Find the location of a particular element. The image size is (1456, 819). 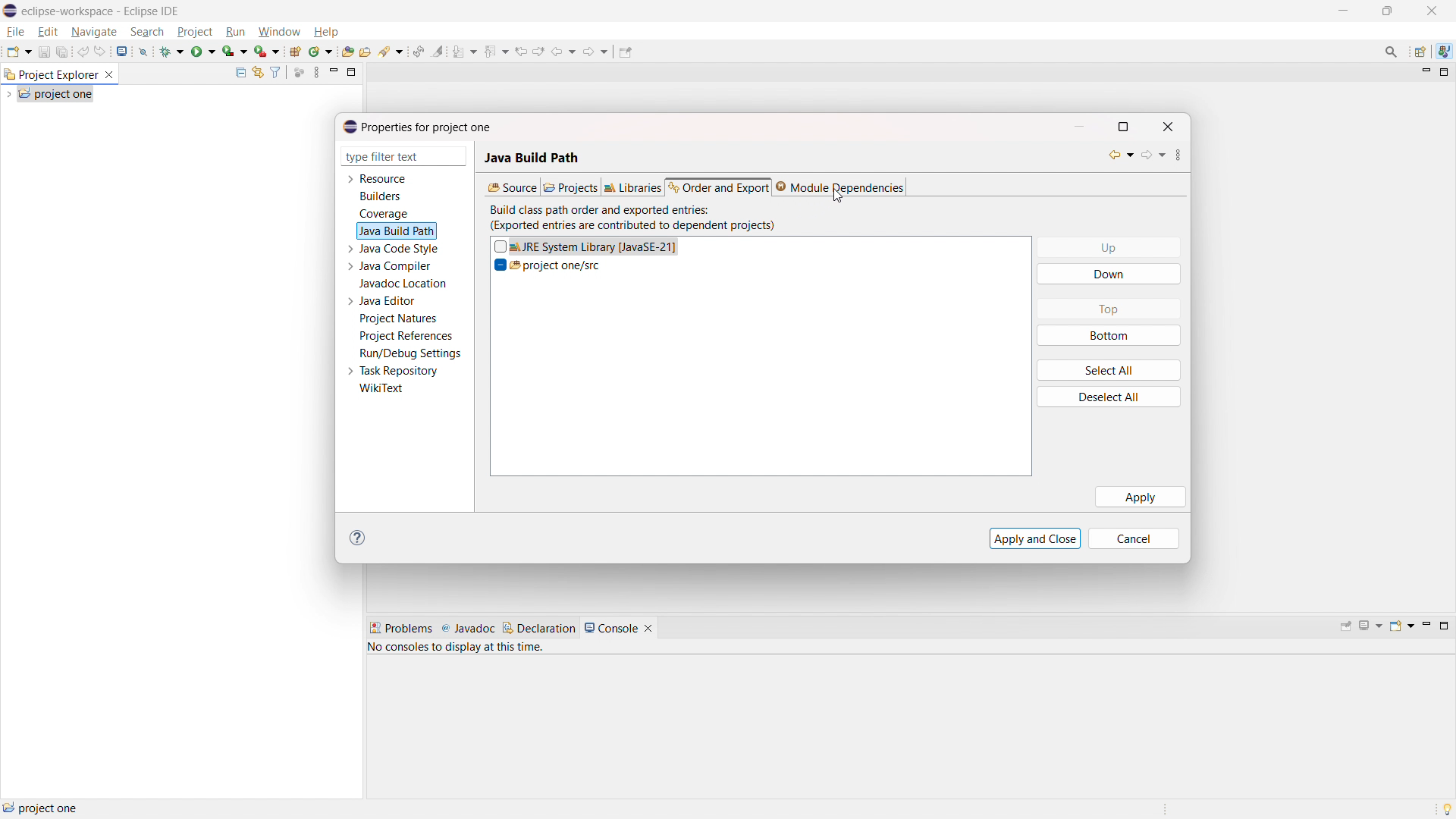

new is located at coordinates (18, 51).